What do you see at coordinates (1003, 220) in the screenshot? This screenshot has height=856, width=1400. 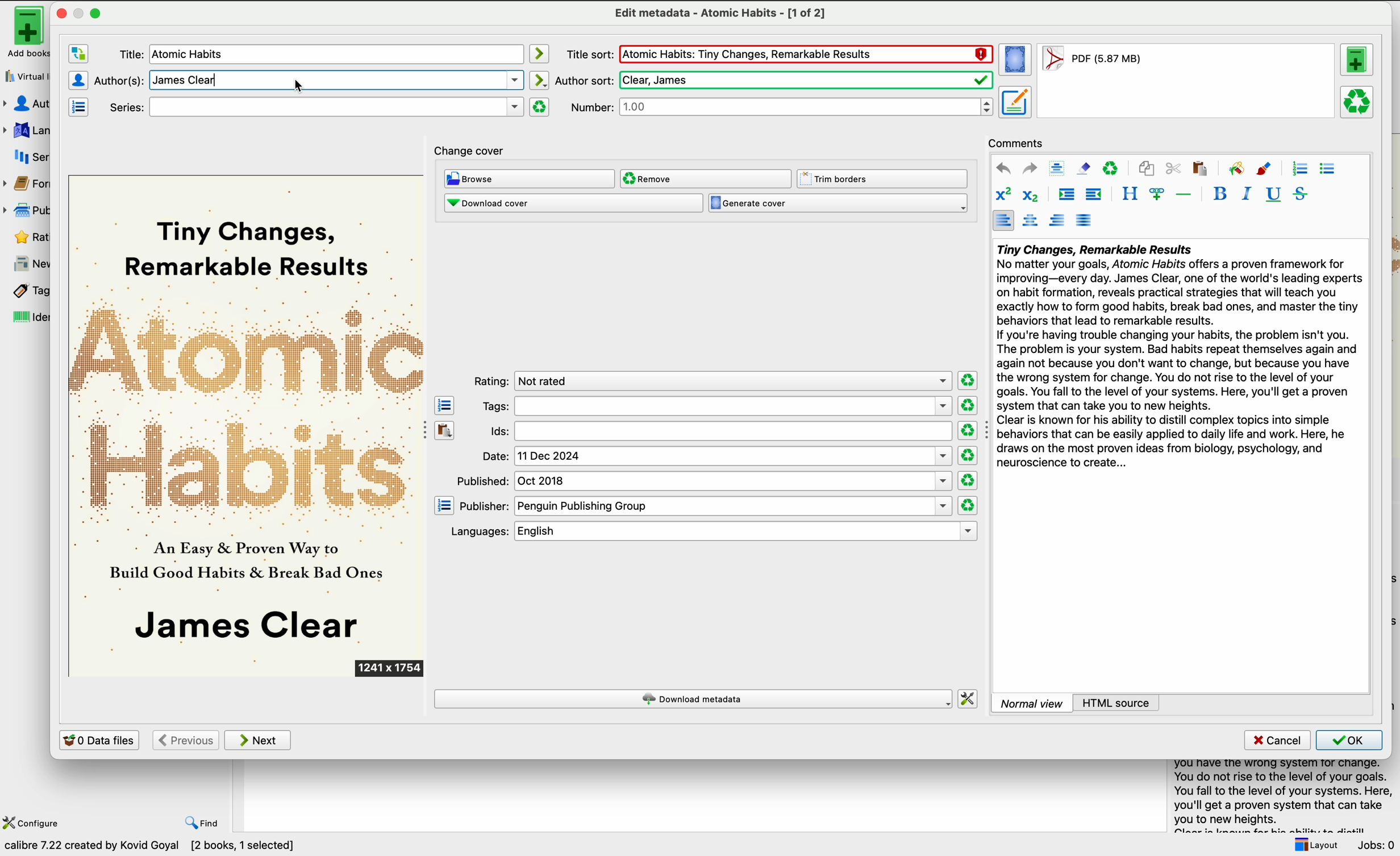 I see `align left` at bounding box center [1003, 220].